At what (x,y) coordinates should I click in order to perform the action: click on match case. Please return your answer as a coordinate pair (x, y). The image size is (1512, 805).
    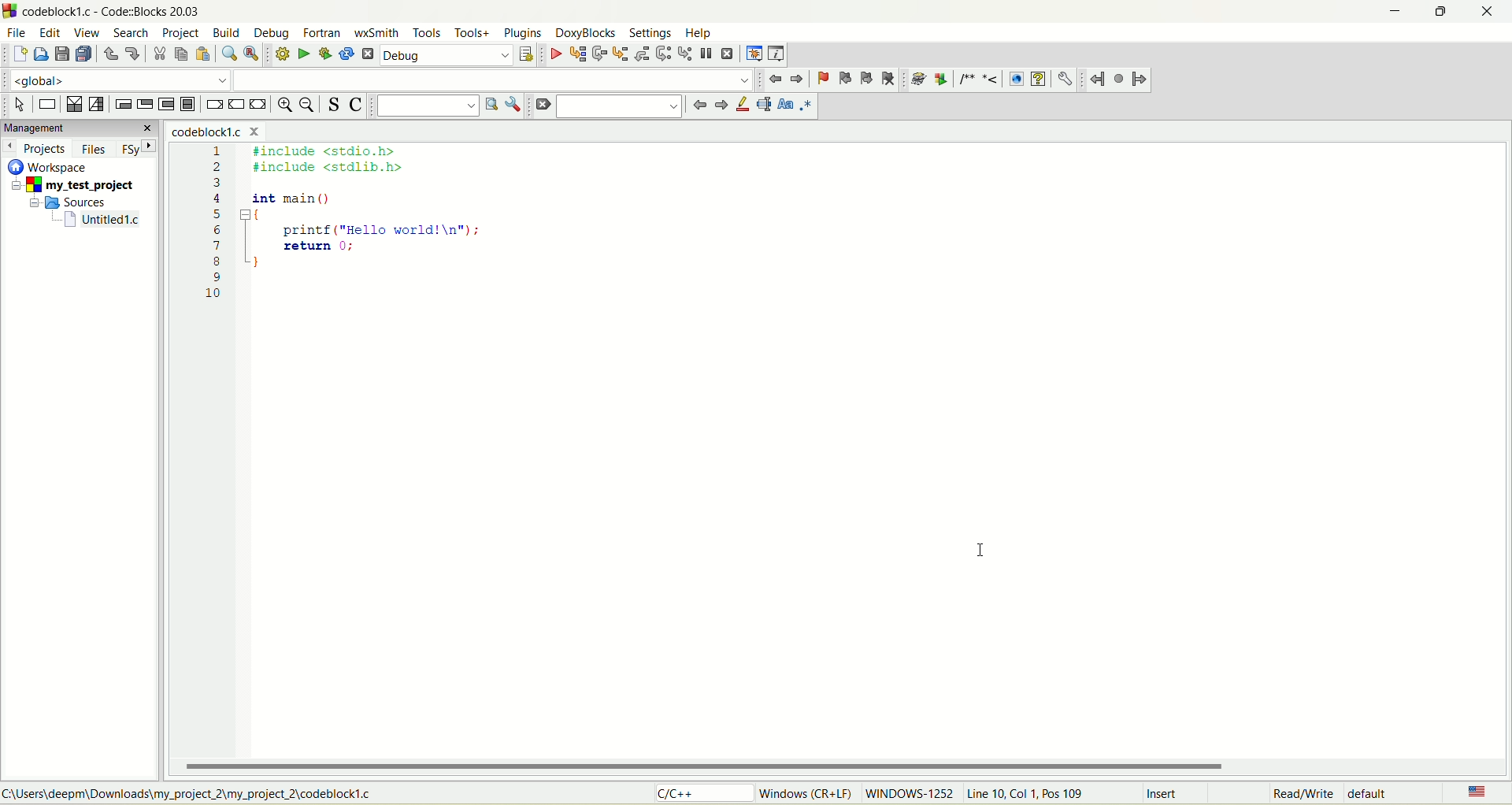
    Looking at the image, I should click on (787, 104).